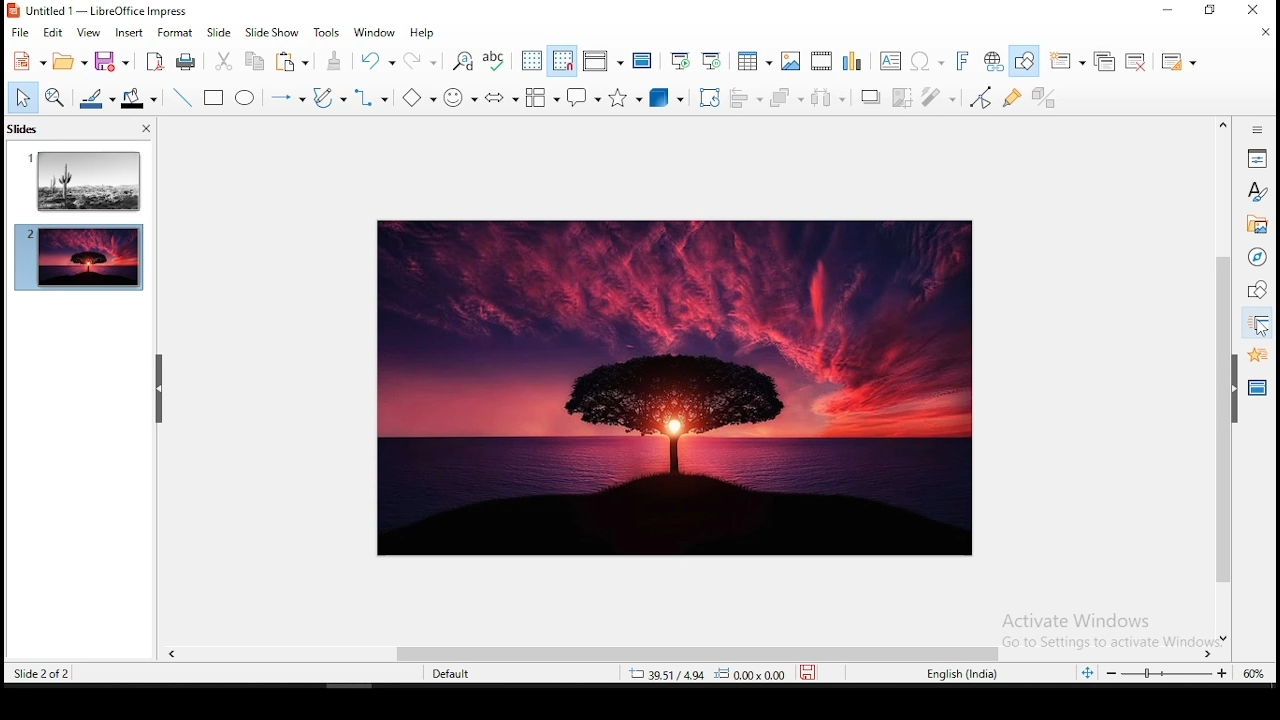 This screenshot has width=1280, height=720. What do you see at coordinates (30, 61) in the screenshot?
I see `new` at bounding box center [30, 61].